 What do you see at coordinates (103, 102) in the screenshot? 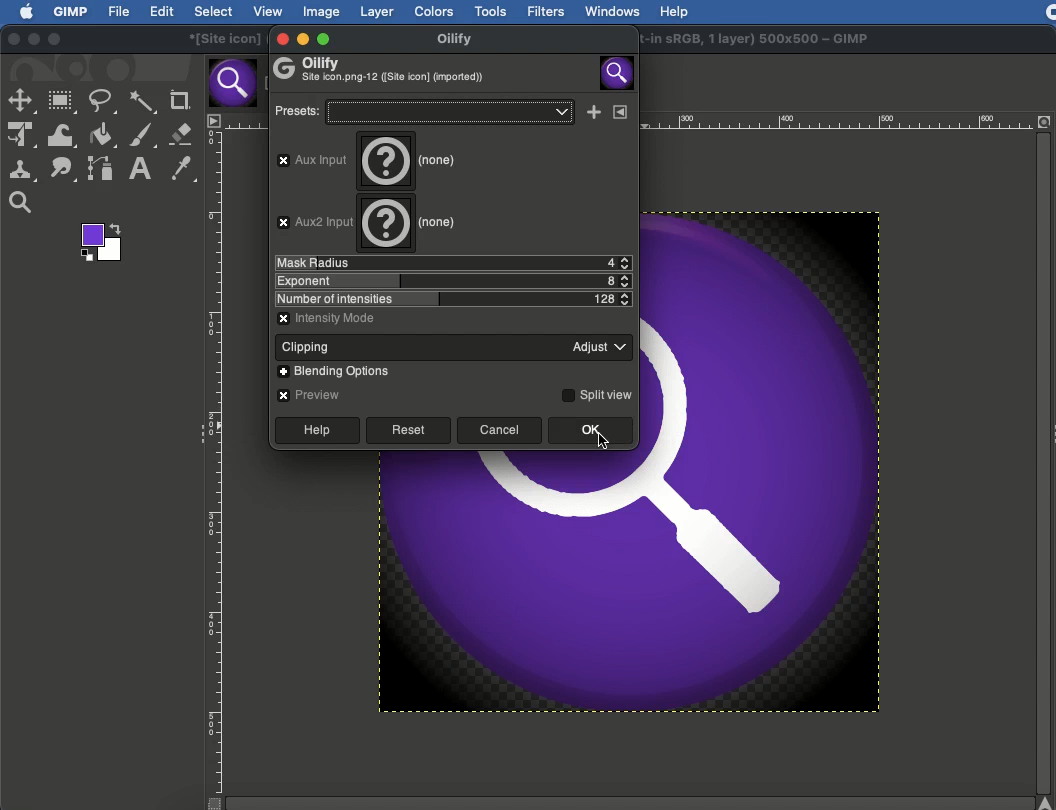
I see `Freeform selection` at bounding box center [103, 102].